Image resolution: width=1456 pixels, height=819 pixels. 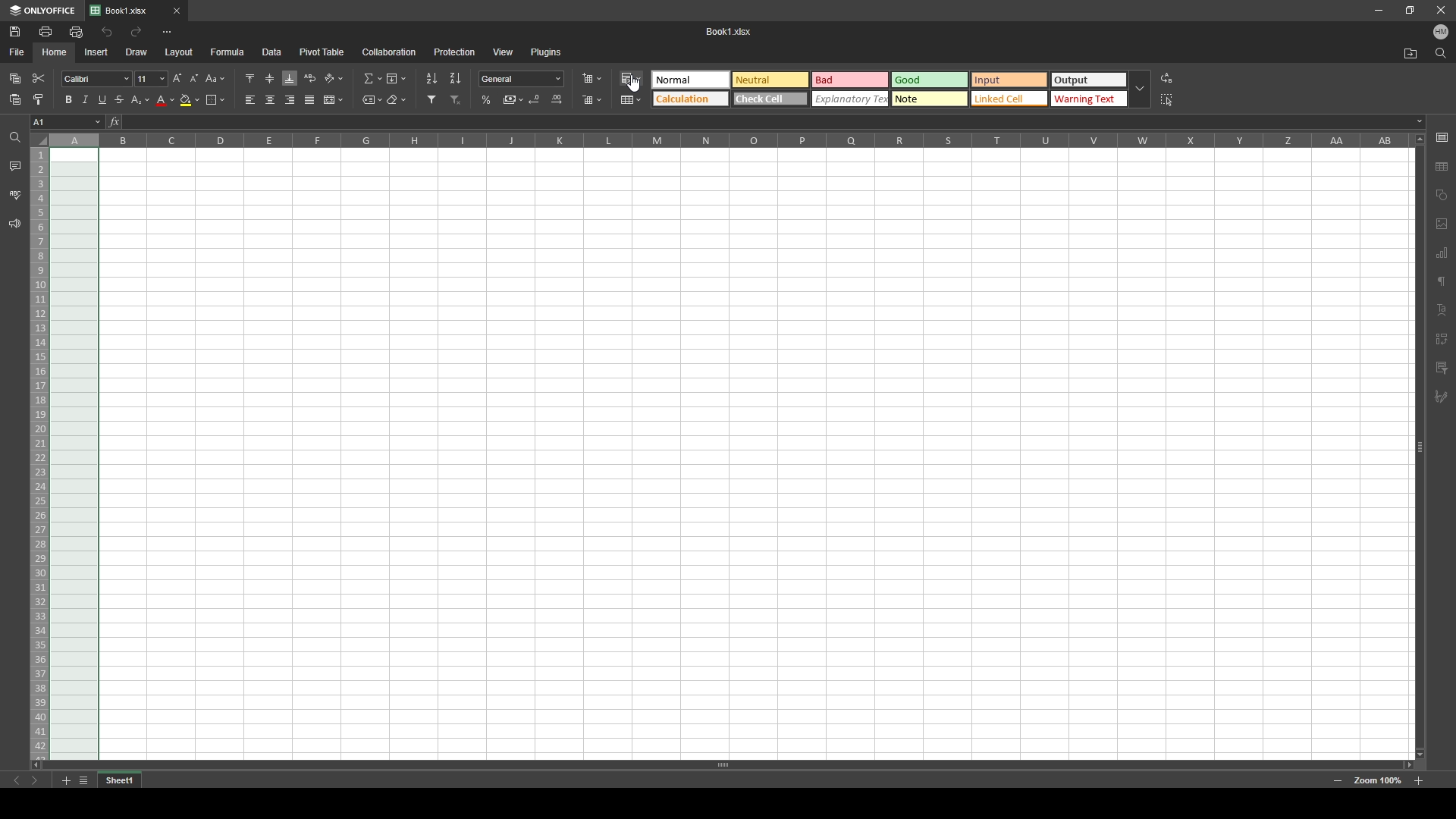 I want to click on add sheet, so click(x=65, y=781).